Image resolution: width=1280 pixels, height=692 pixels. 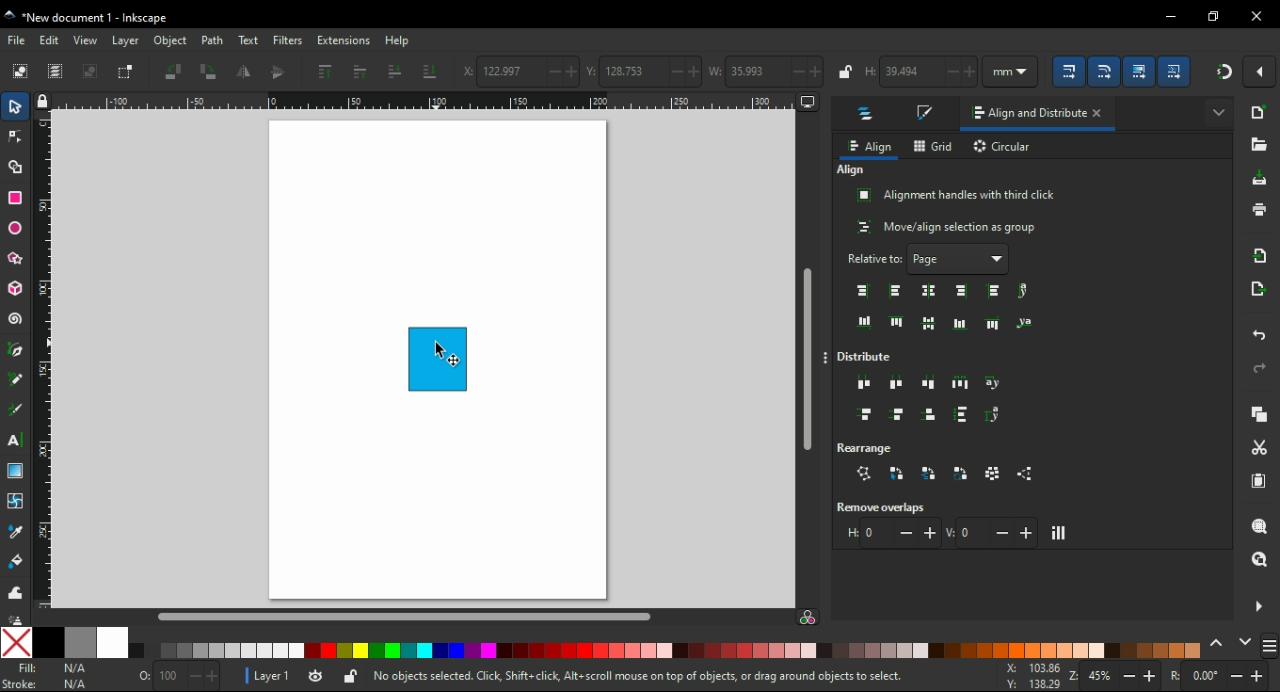 I want to click on align left edges of objects to right edge of  anchor, so click(x=994, y=291).